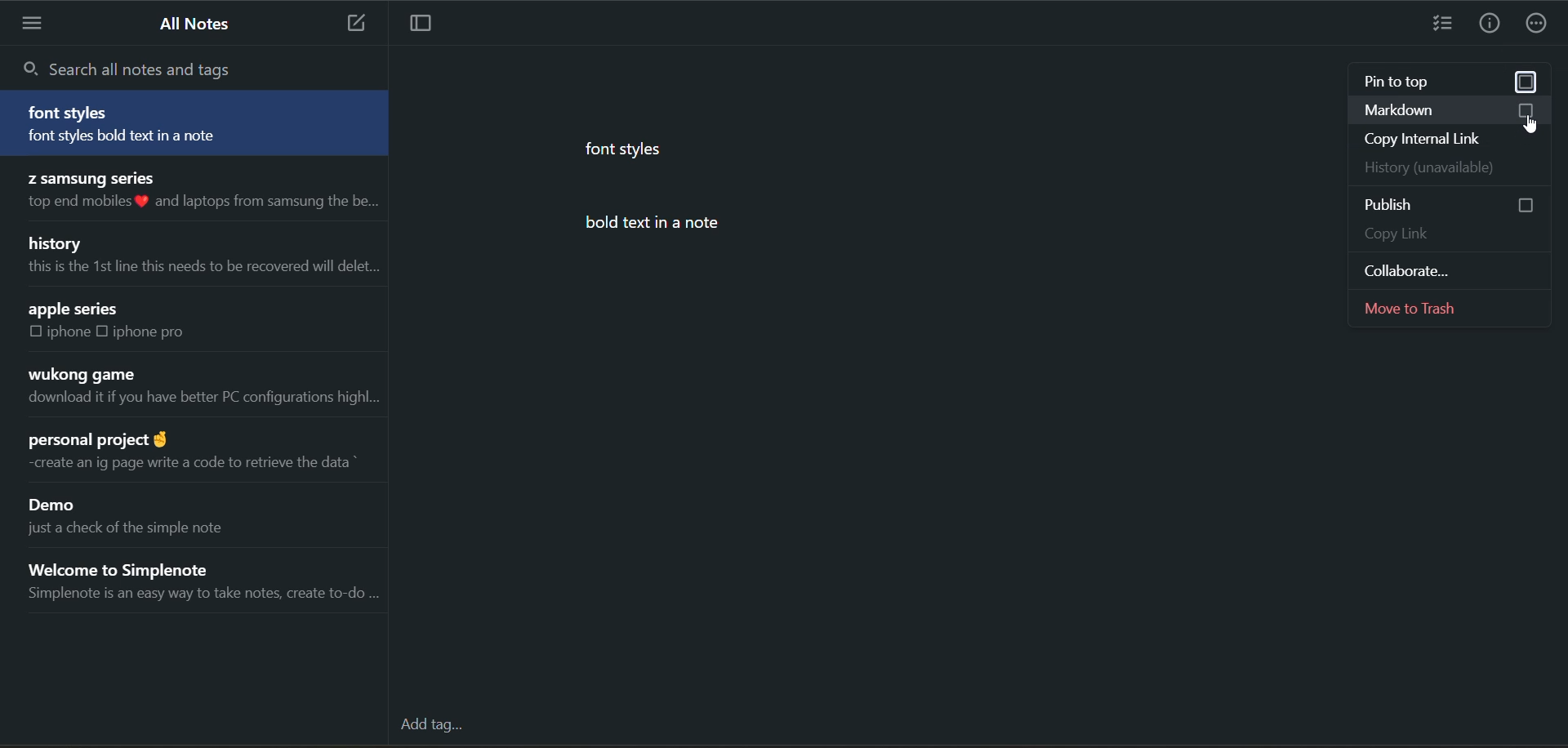 The width and height of the screenshot is (1568, 748). I want to click on checkbox, so click(1527, 83).